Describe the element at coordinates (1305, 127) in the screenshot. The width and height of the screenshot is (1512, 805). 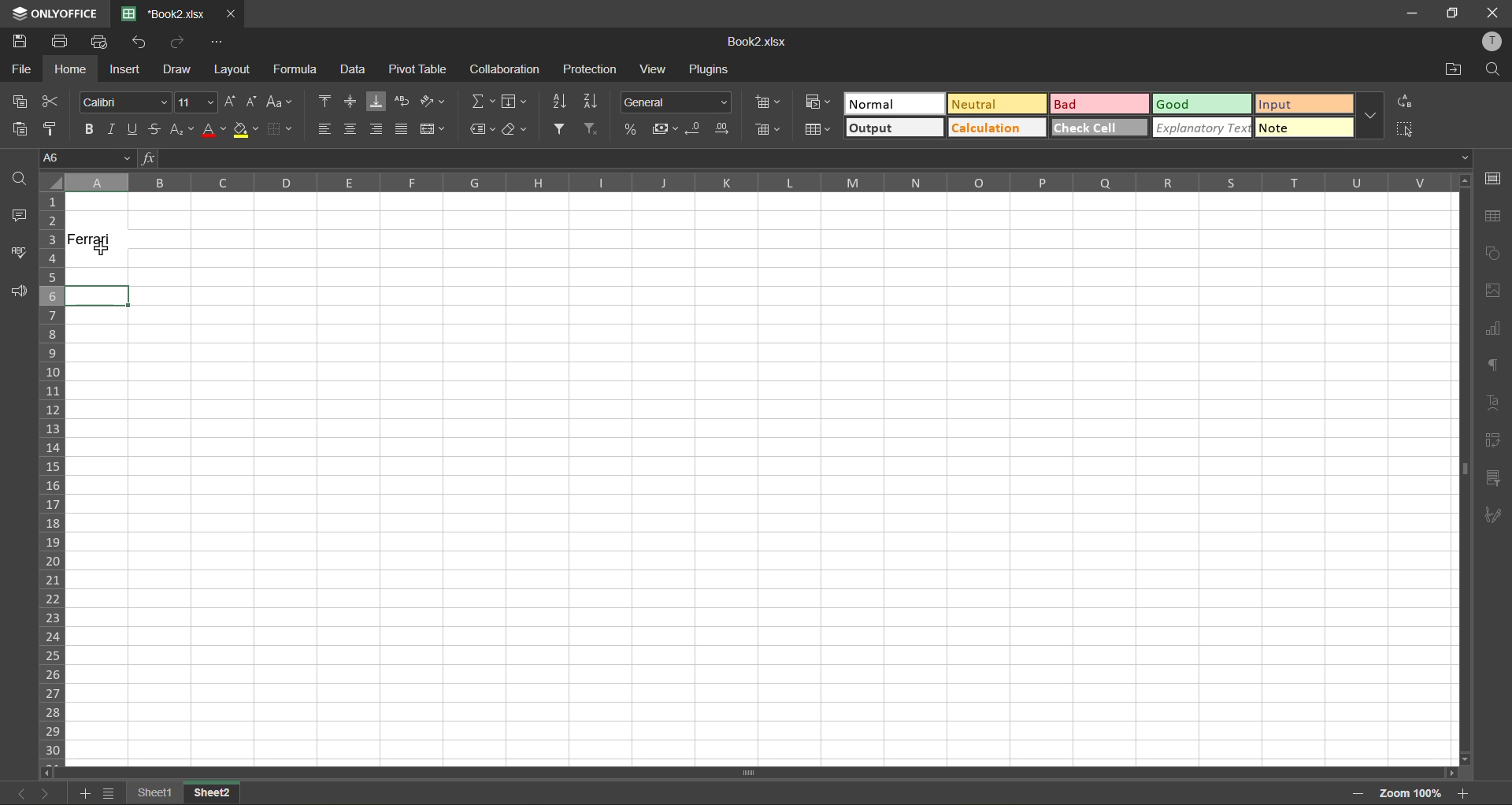
I see `note` at that location.